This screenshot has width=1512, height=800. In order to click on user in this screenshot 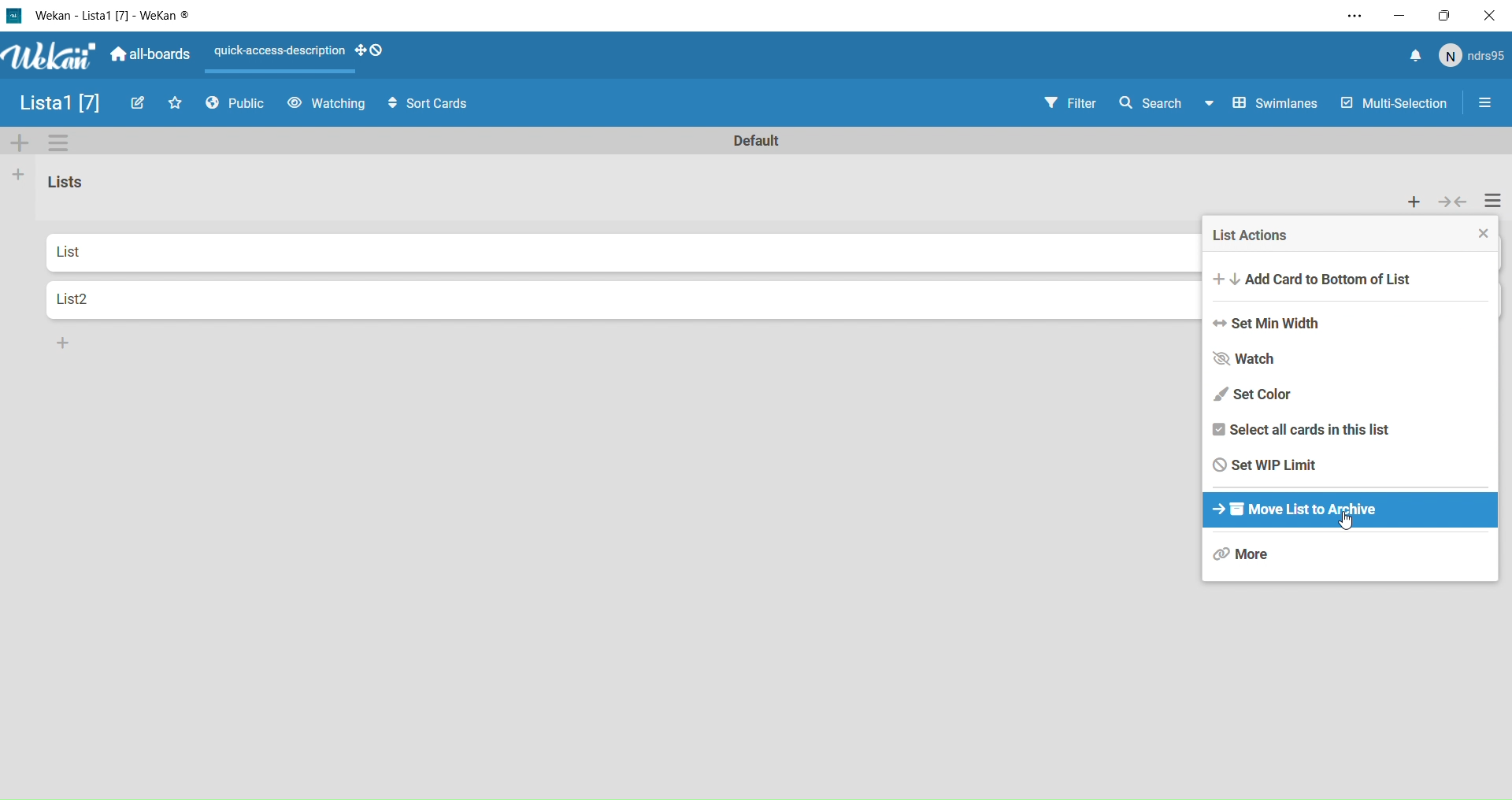, I will do `click(1474, 58)`.